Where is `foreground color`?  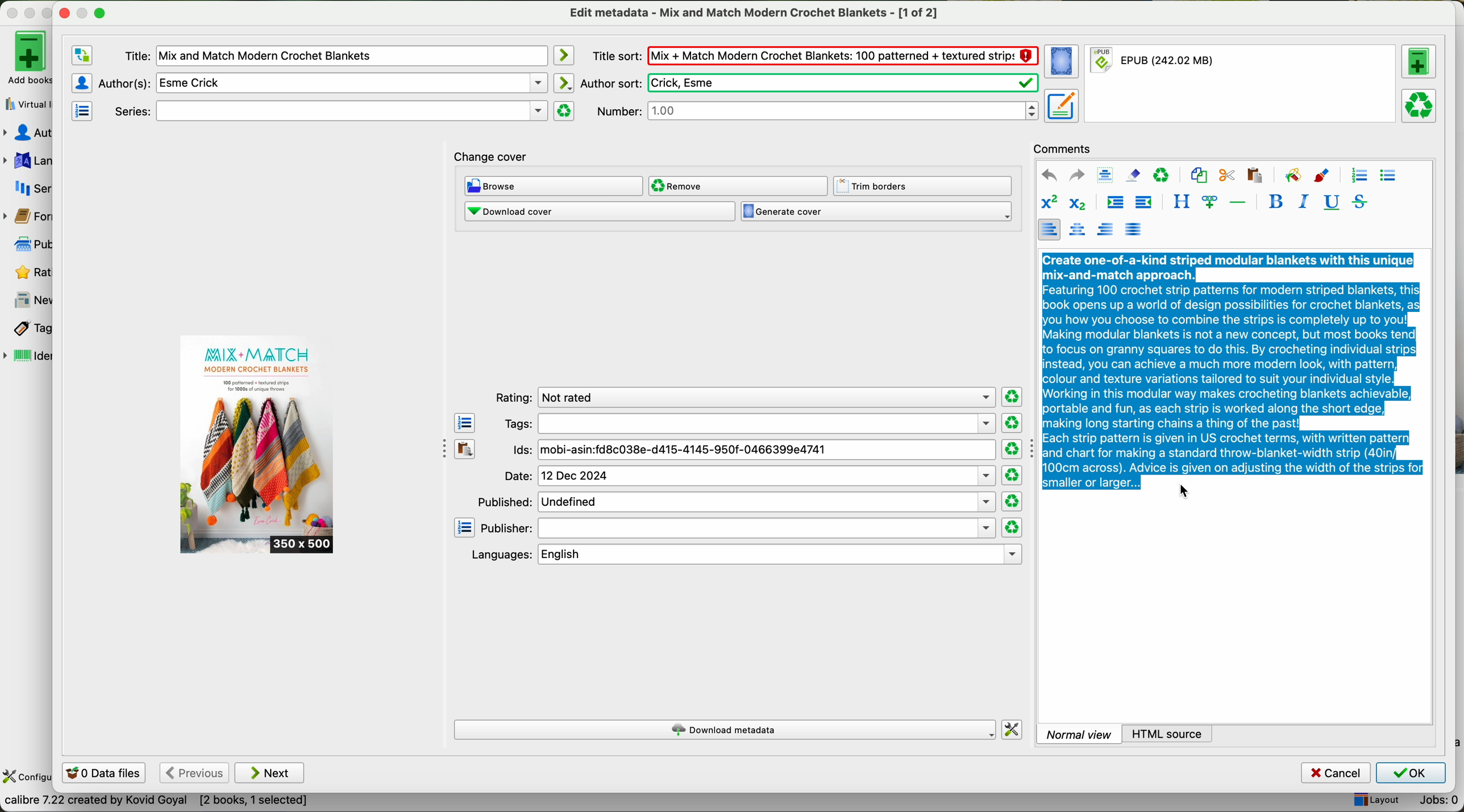
foreground color is located at coordinates (1322, 177).